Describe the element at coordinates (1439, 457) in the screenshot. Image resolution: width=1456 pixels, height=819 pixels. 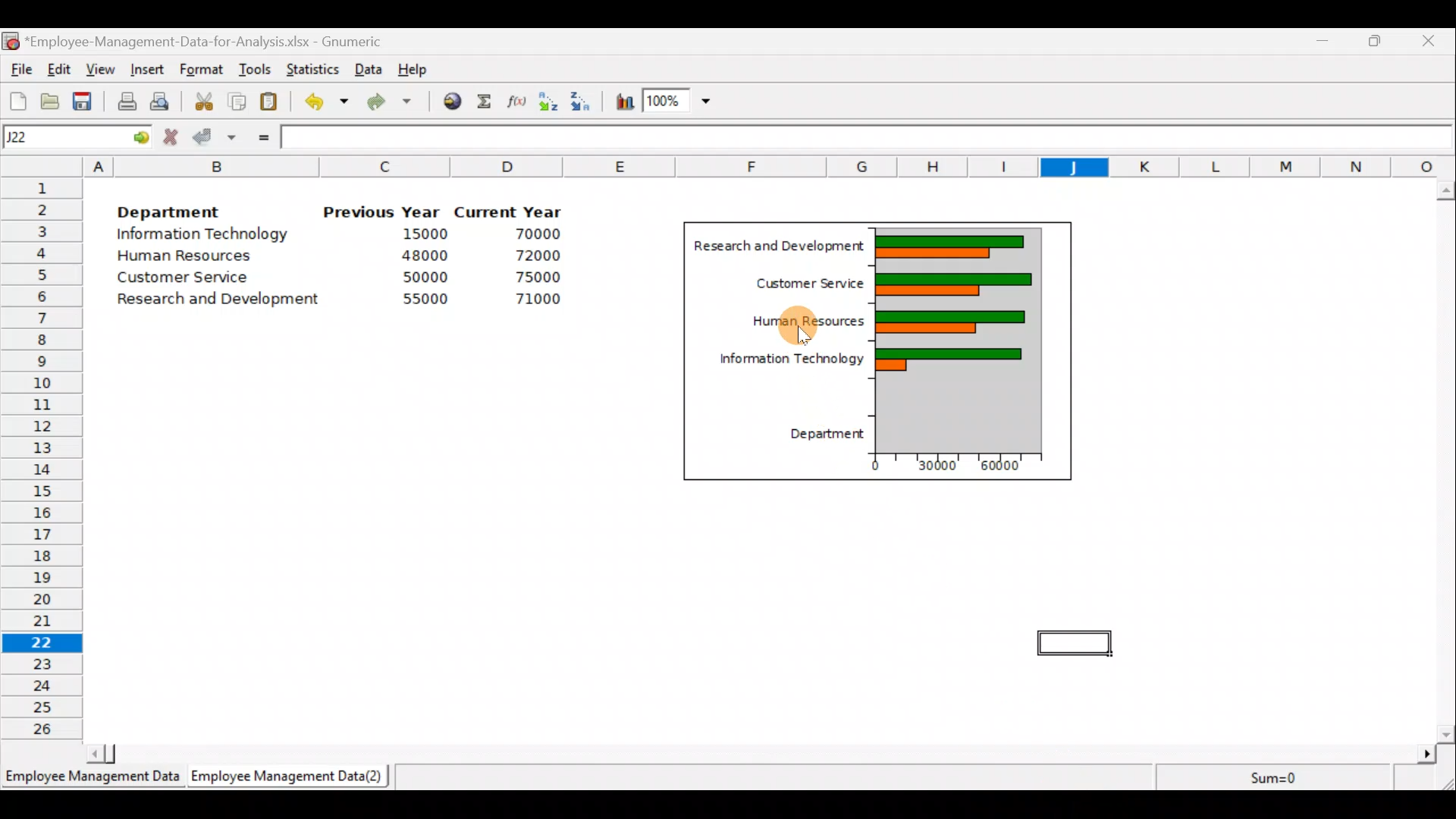
I see `Scroll bar` at that location.